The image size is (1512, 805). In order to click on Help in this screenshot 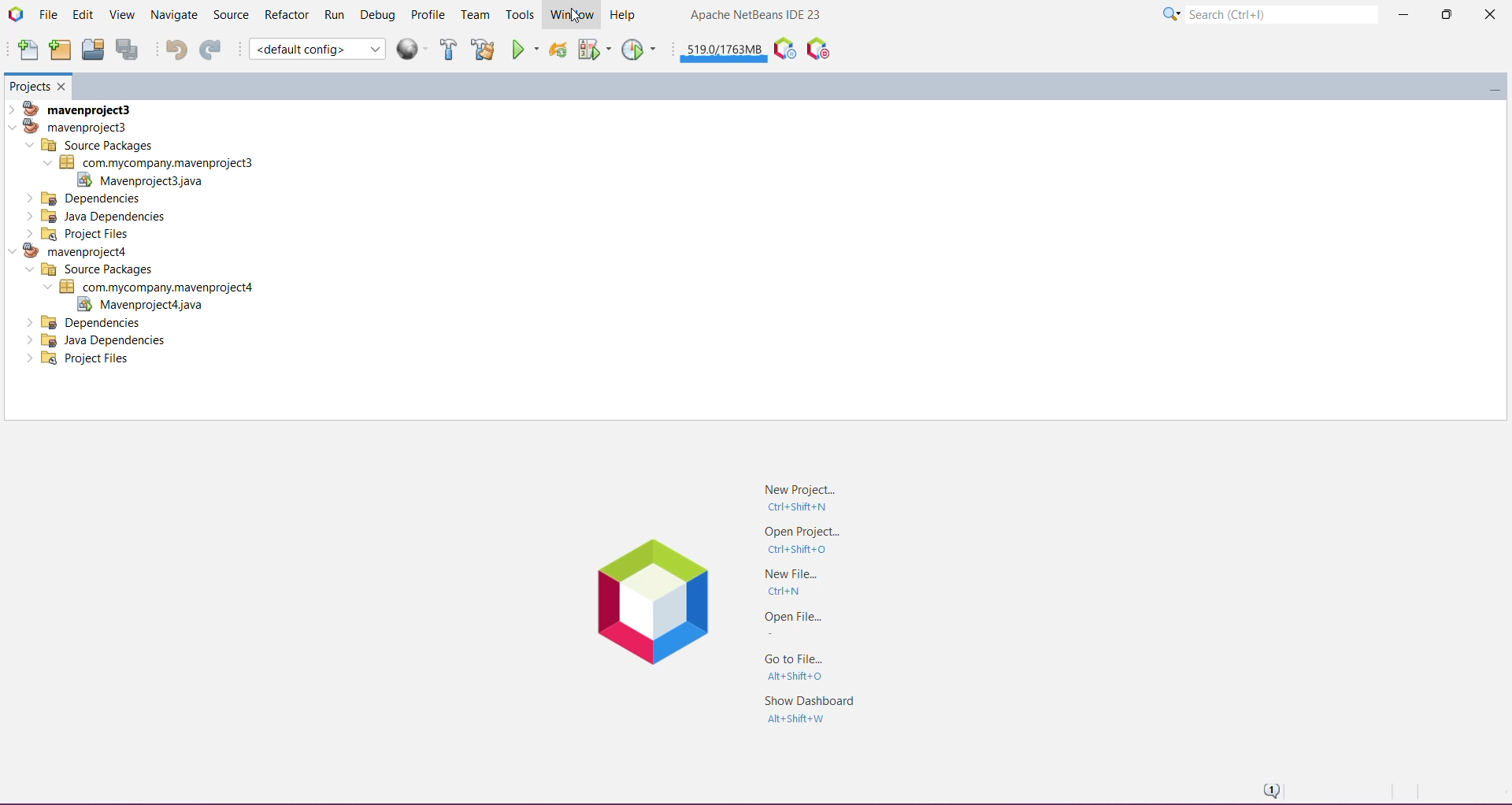, I will do `click(624, 13)`.